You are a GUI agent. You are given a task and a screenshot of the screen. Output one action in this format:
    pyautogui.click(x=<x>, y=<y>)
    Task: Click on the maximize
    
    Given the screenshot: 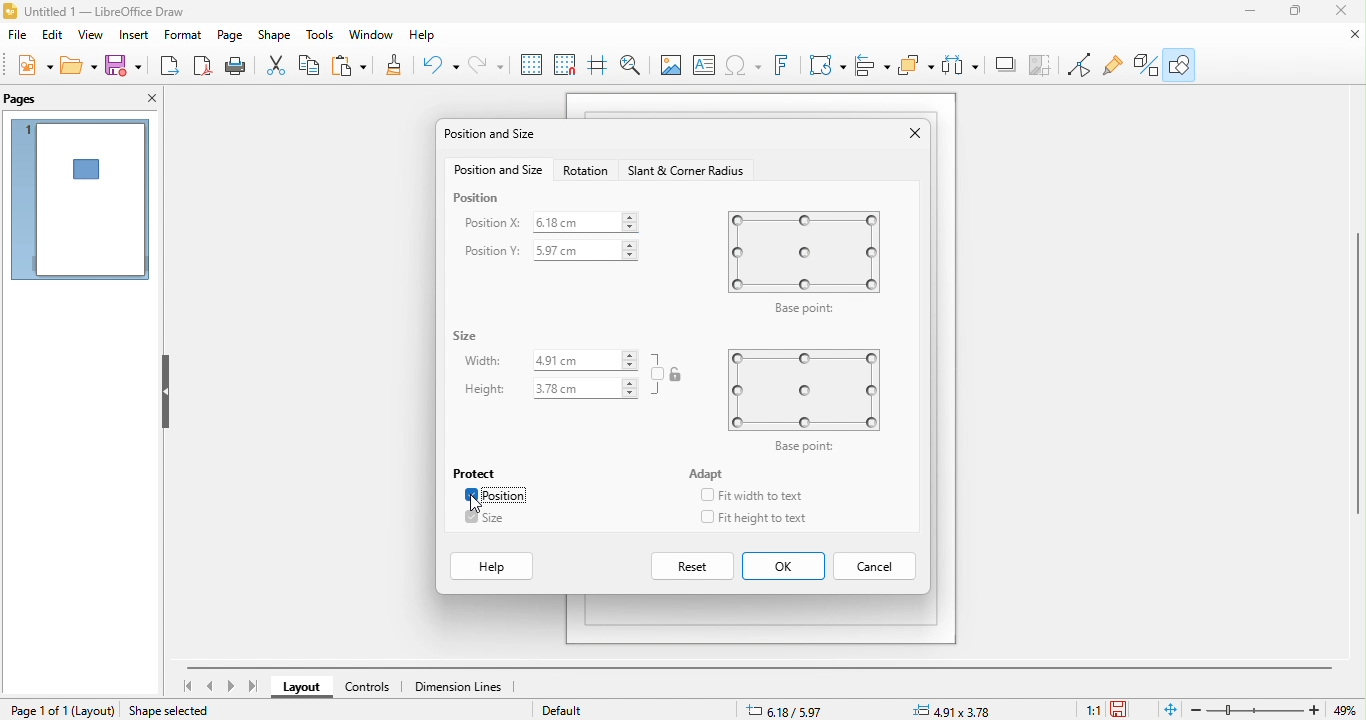 What is the action you would take?
    pyautogui.click(x=1297, y=11)
    